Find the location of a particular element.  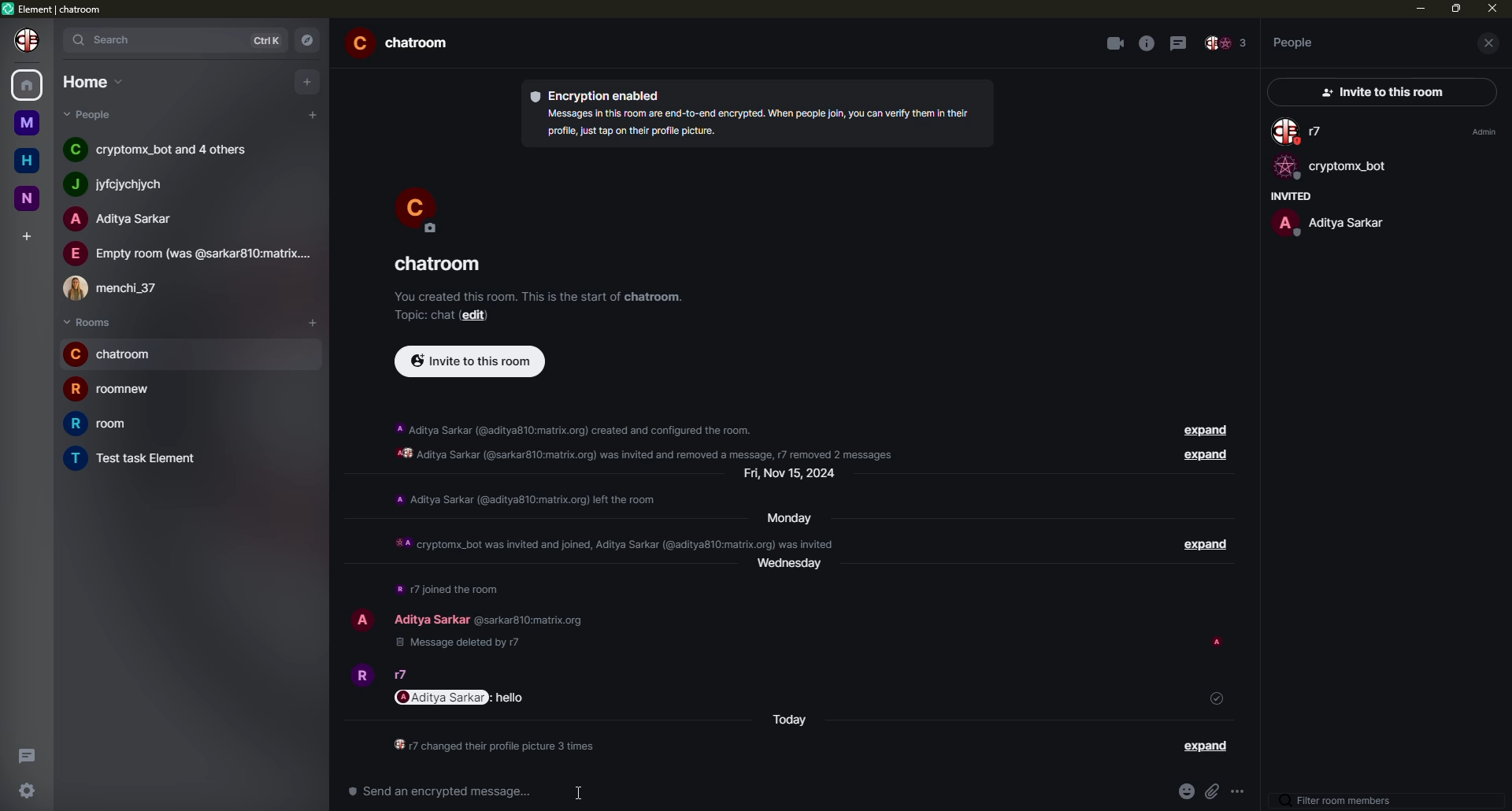

people is located at coordinates (120, 285).